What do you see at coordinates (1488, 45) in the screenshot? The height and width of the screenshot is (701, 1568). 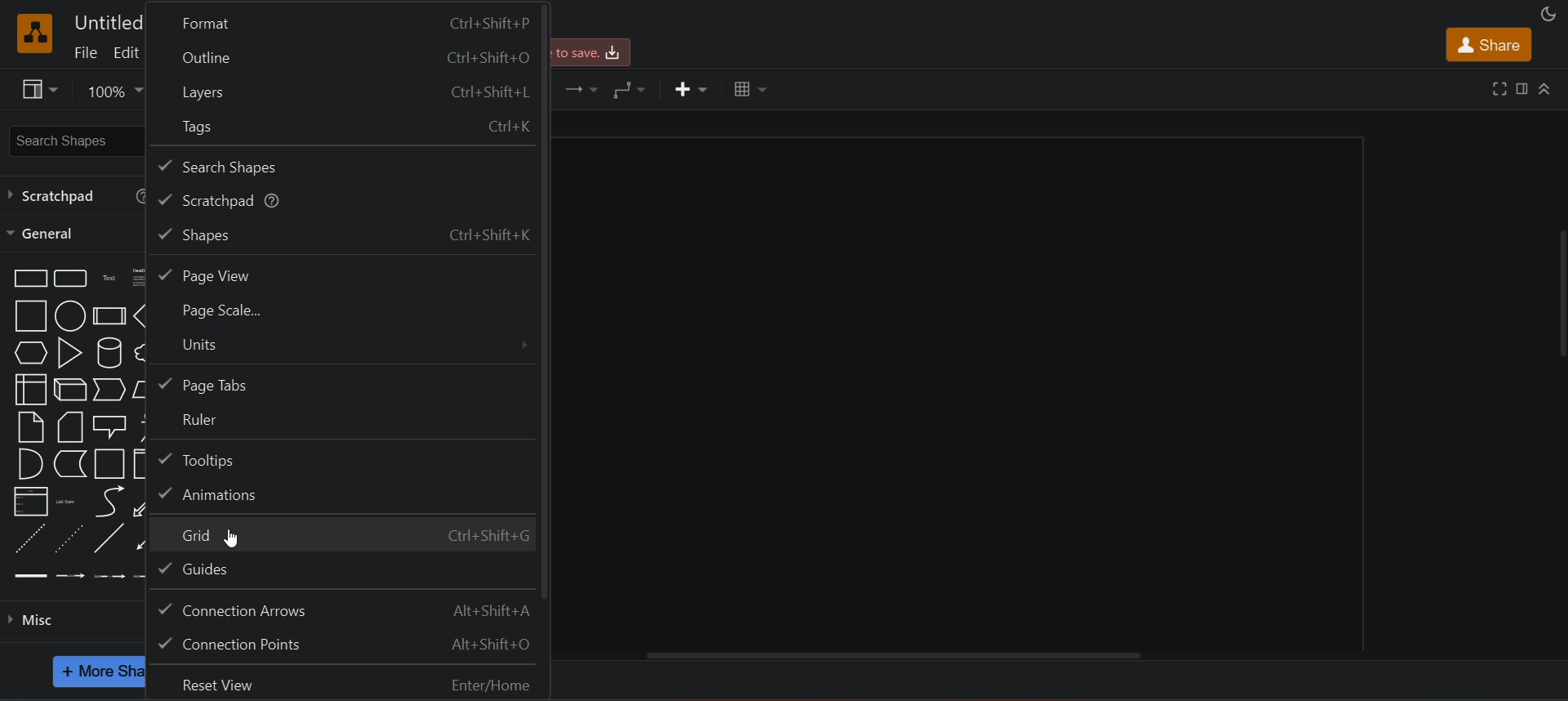 I see `share` at bounding box center [1488, 45].